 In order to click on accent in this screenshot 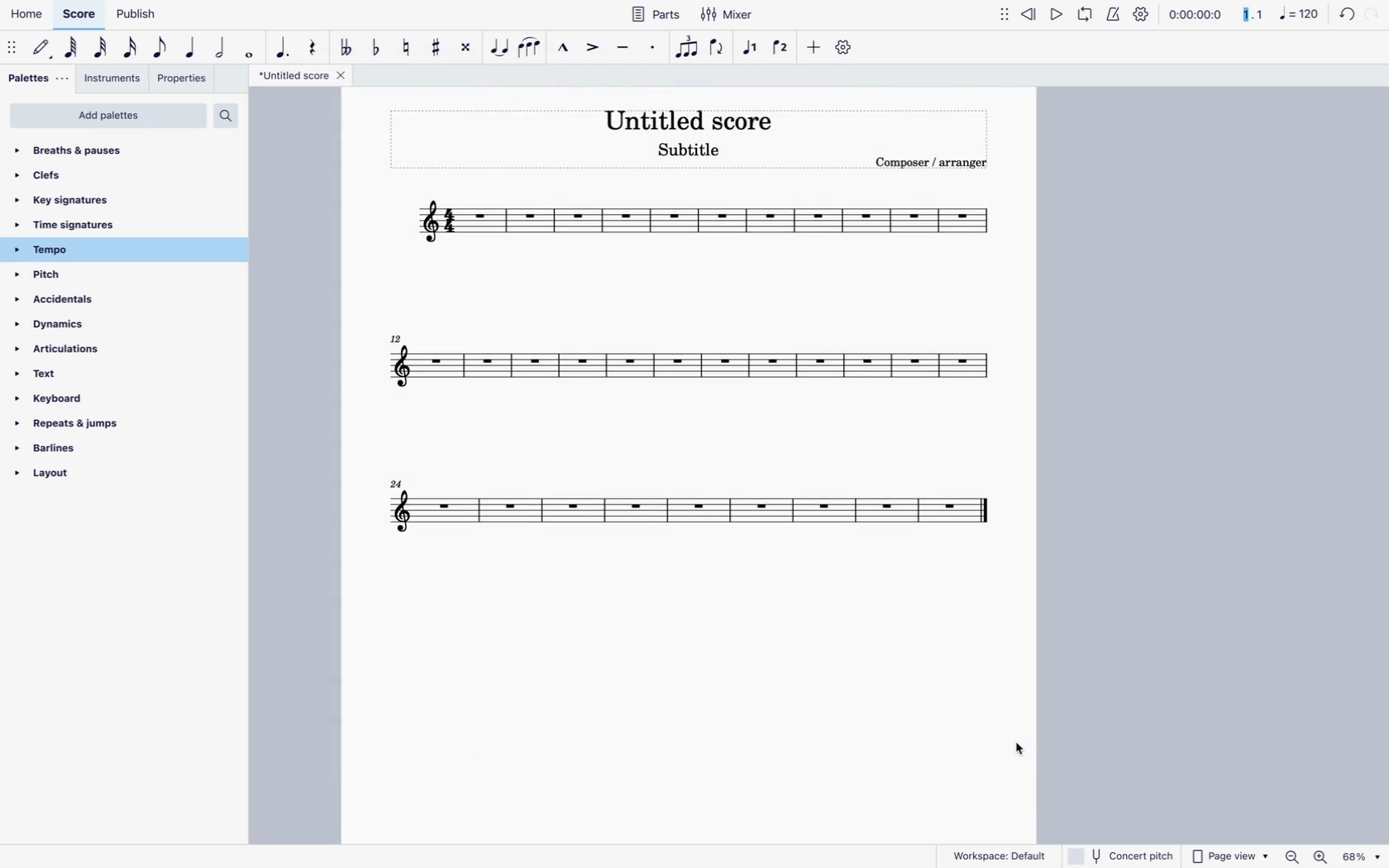, I will do `click(594, 46)`.